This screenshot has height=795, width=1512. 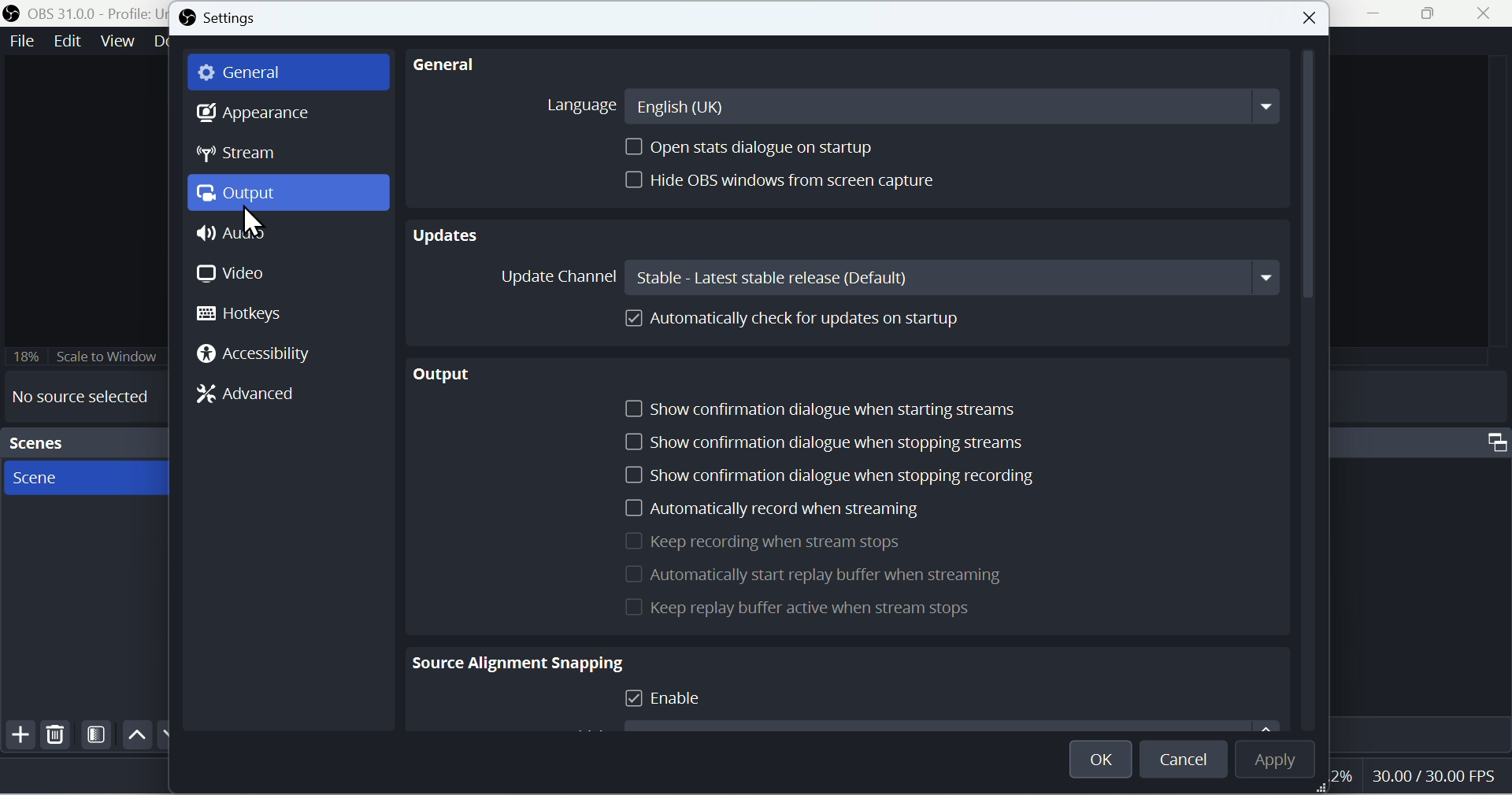 I want to click on Output, so click(x=436, y=374).